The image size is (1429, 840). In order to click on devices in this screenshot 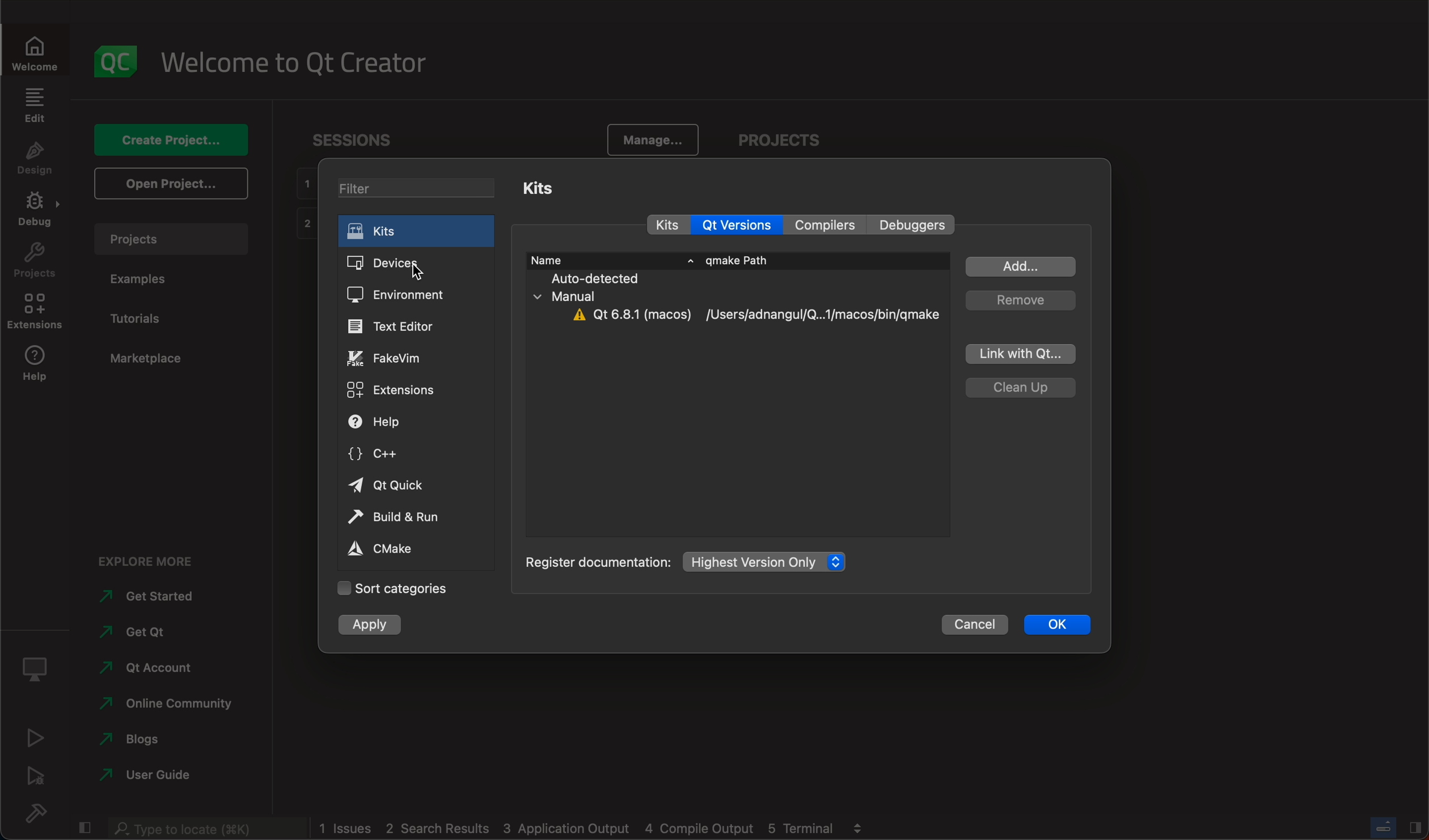, I will do `click(416, 265)`.